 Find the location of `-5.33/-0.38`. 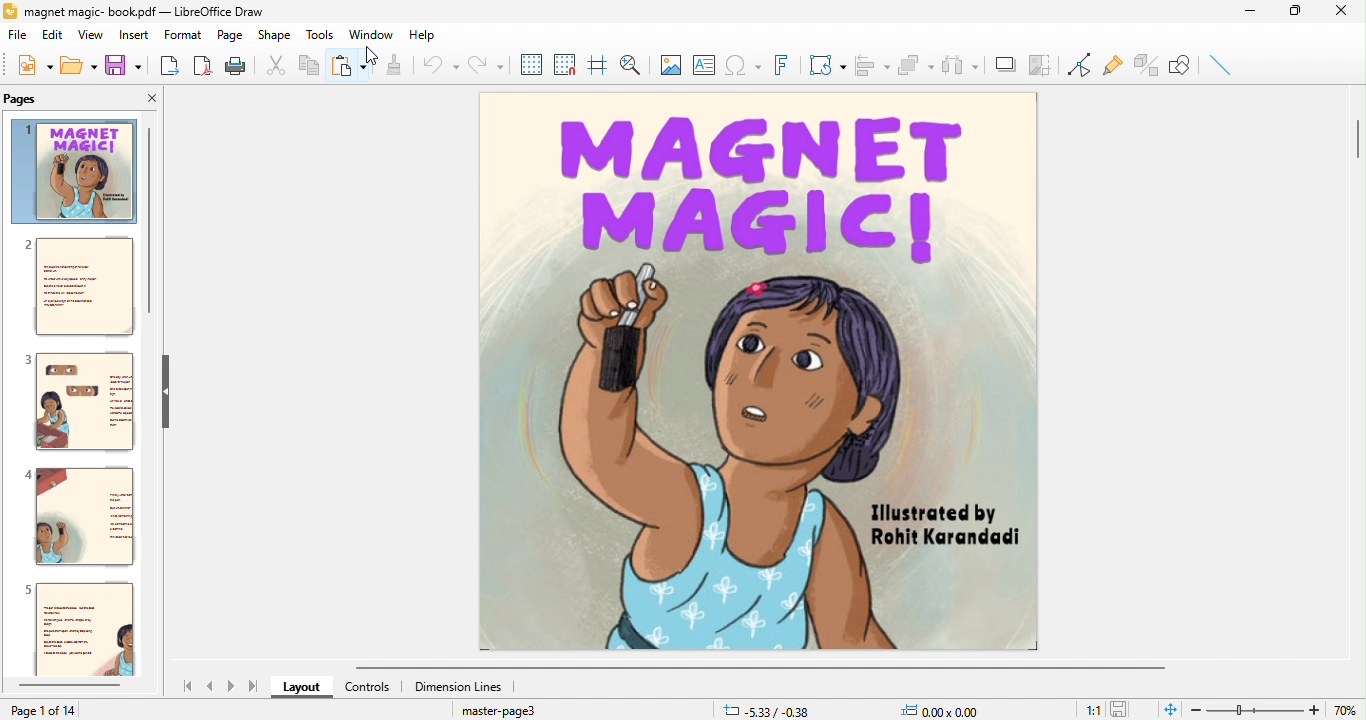

-5.33/-0.38 is located at coordinates (767, 707).